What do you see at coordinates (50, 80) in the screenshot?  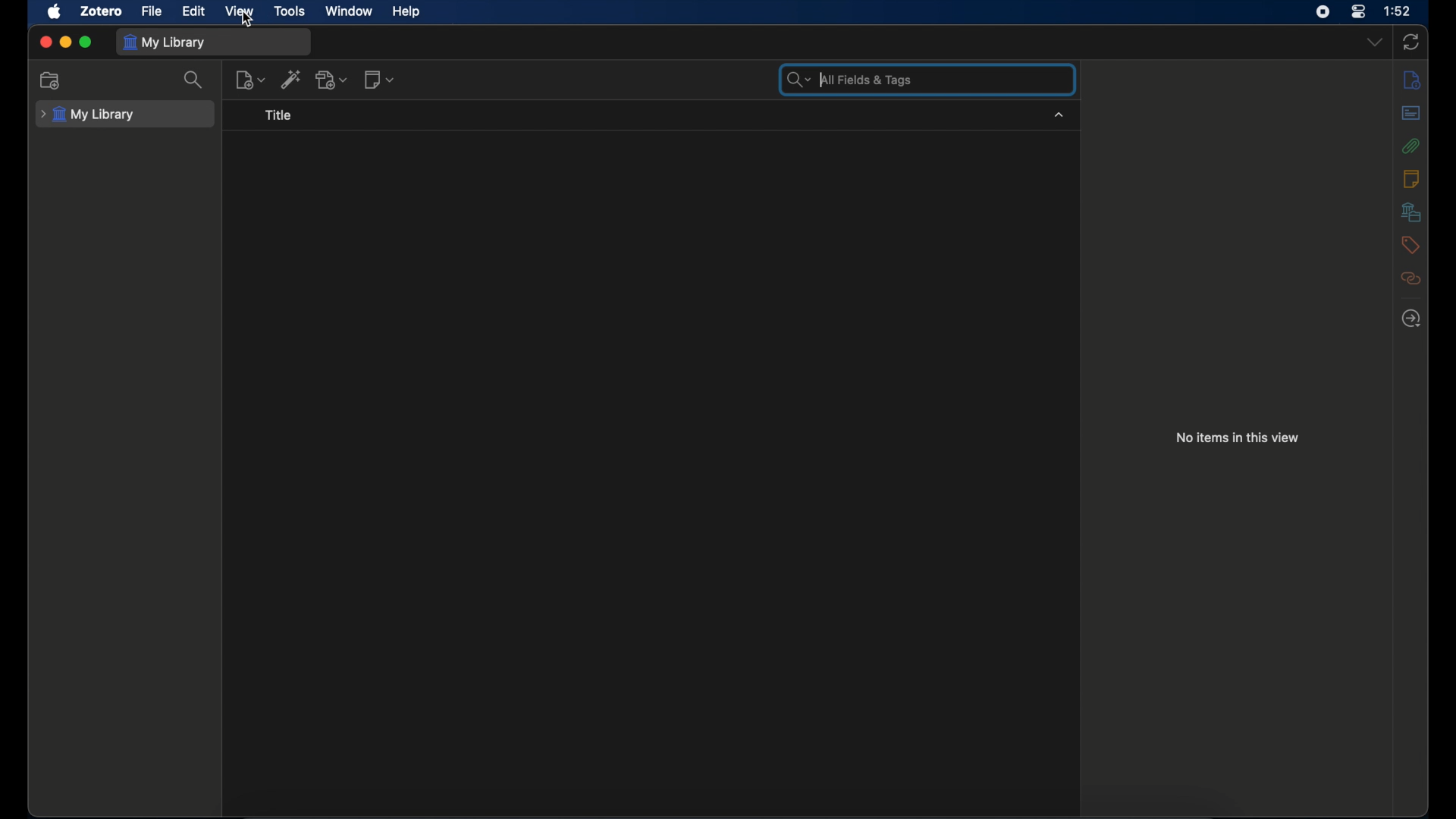 I see `new collection` at bounding box center [50, 80].